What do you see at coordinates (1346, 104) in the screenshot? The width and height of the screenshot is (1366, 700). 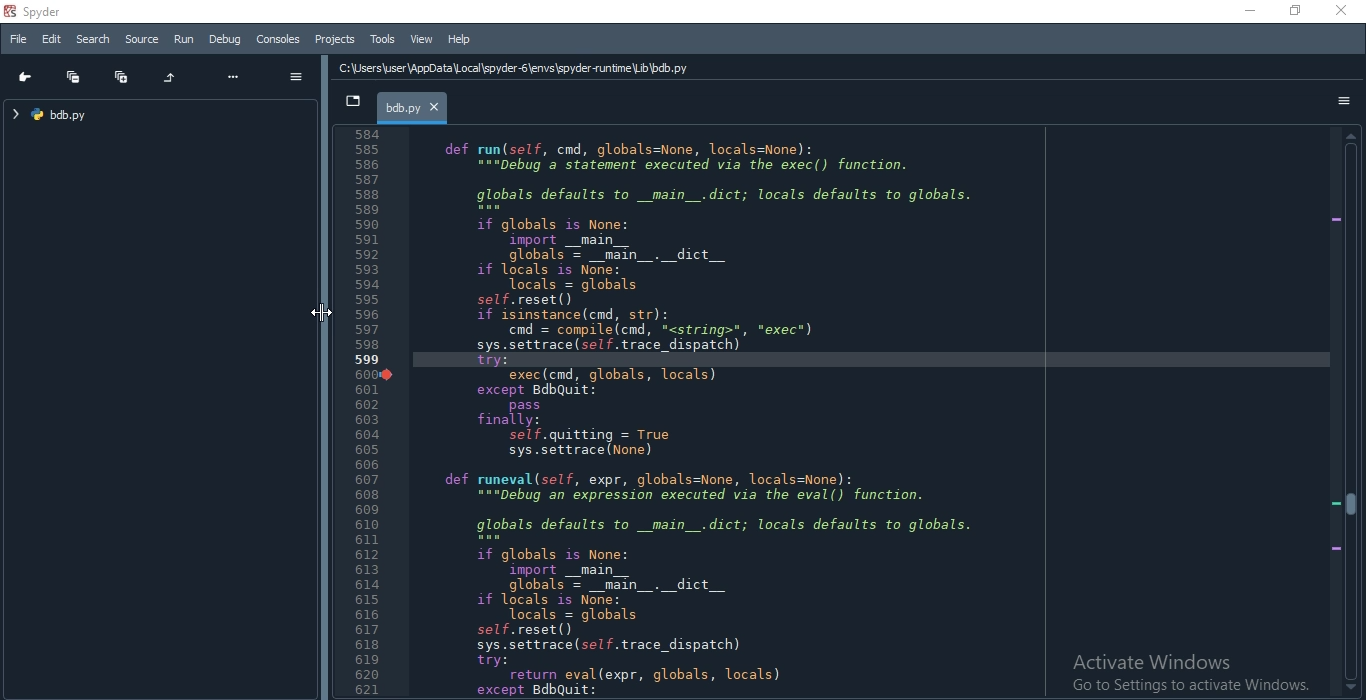 I see `options` at bounding box center [1346, 104].